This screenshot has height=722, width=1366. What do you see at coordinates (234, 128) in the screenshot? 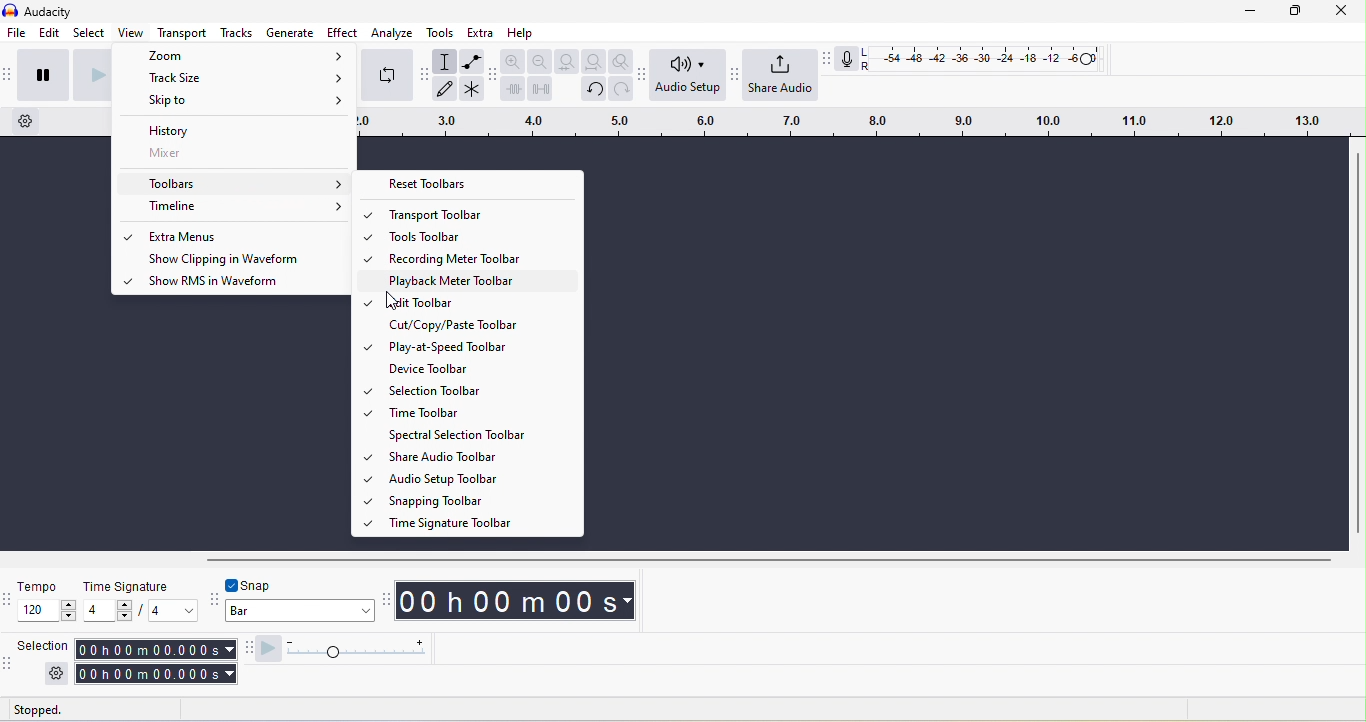
I see `history ` at bounding box center [234, 128].